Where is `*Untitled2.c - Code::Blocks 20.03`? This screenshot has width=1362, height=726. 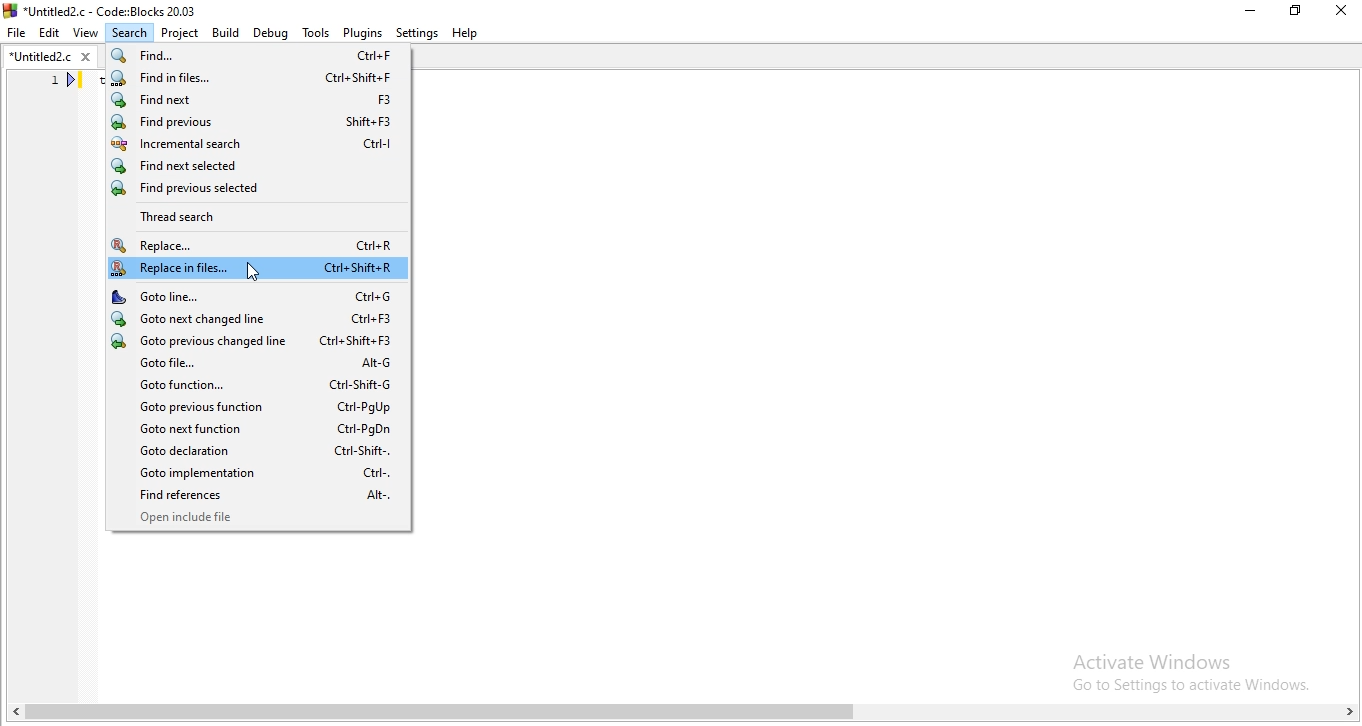 *Untitled2.c - Code::Blocks 20.03 is located at coordinates (121, 9).